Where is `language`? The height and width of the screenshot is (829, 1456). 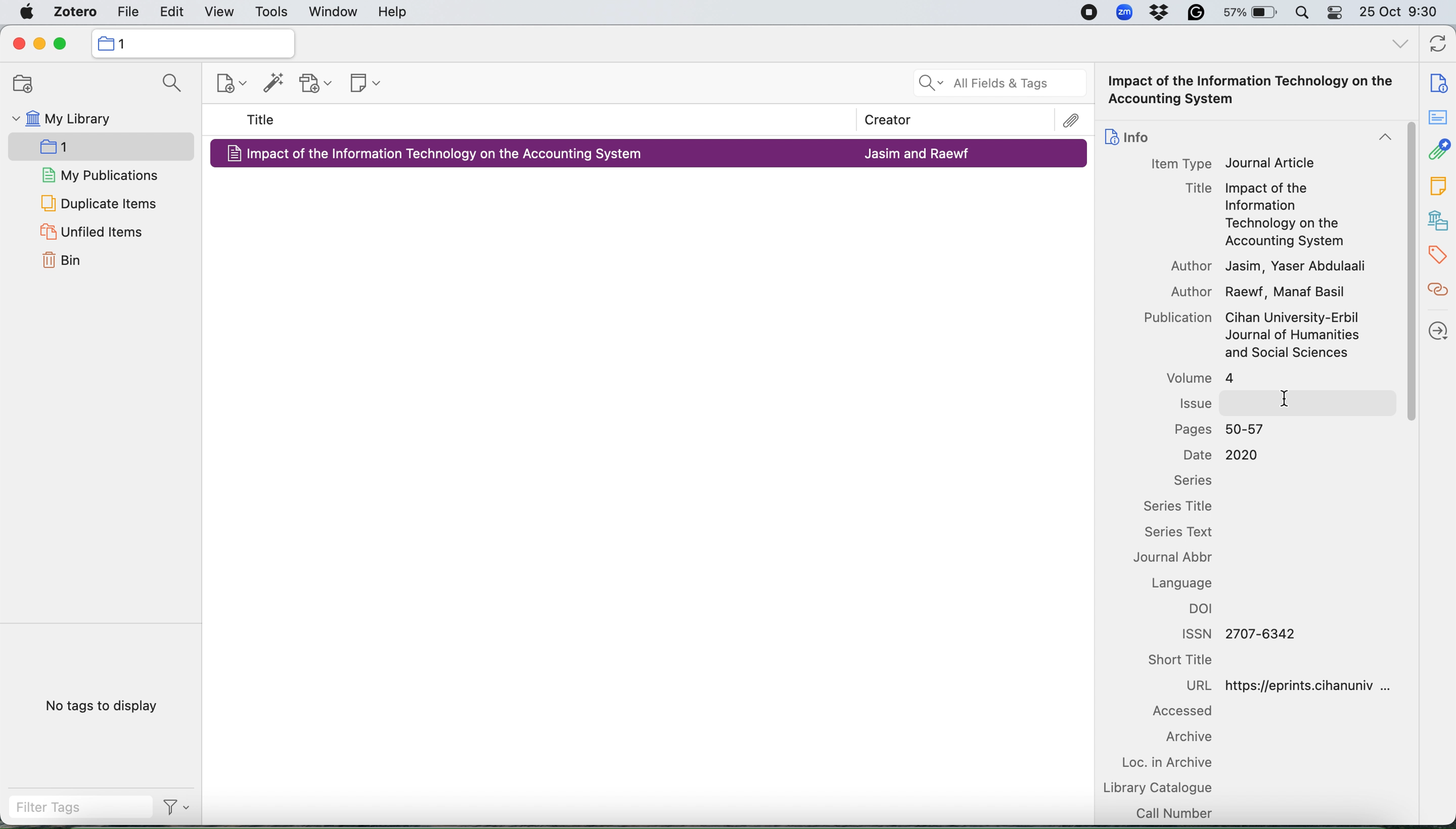 language is located at coordinates (1189, 583).